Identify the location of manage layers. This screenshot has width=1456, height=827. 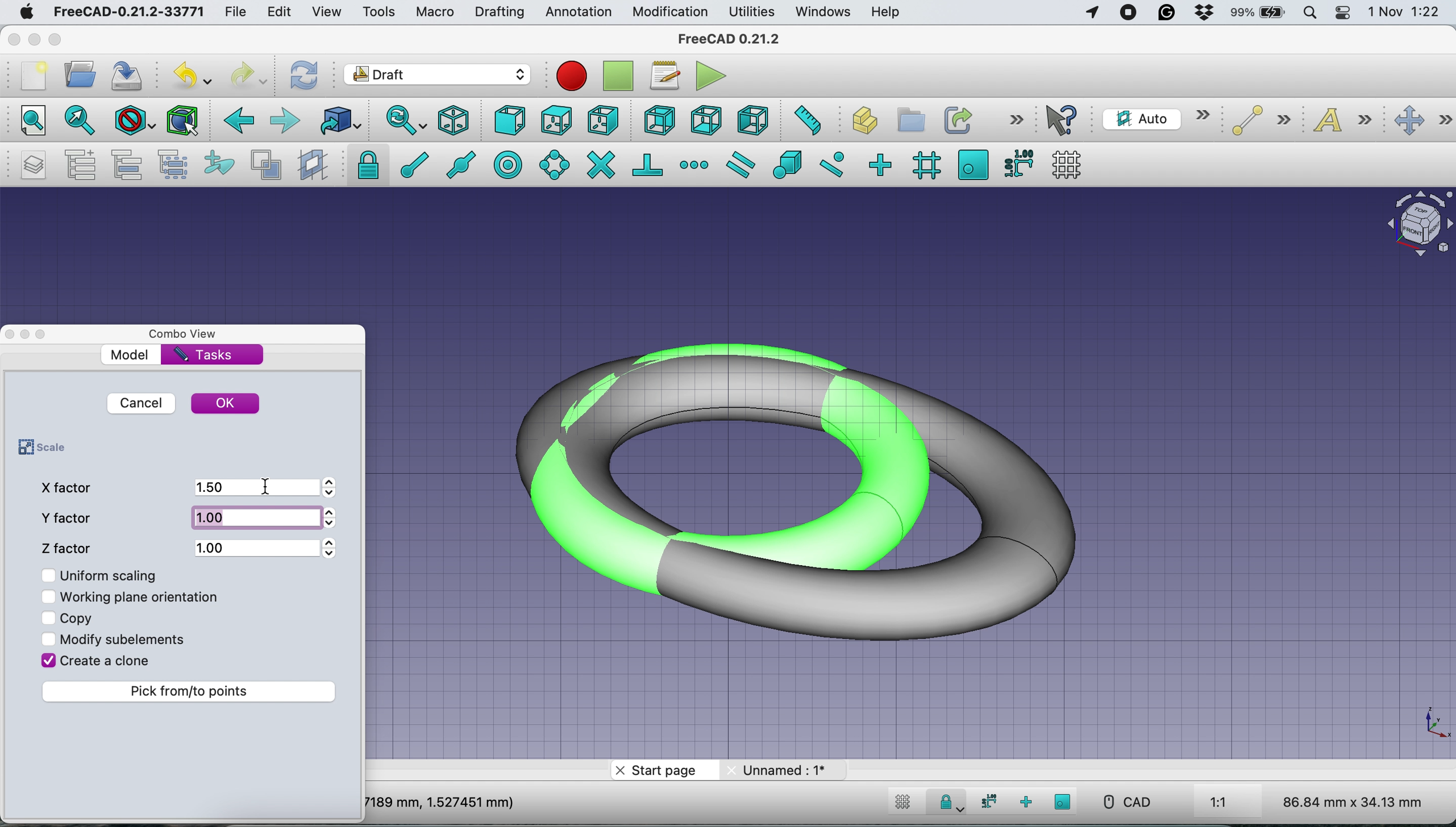
(36, 165).